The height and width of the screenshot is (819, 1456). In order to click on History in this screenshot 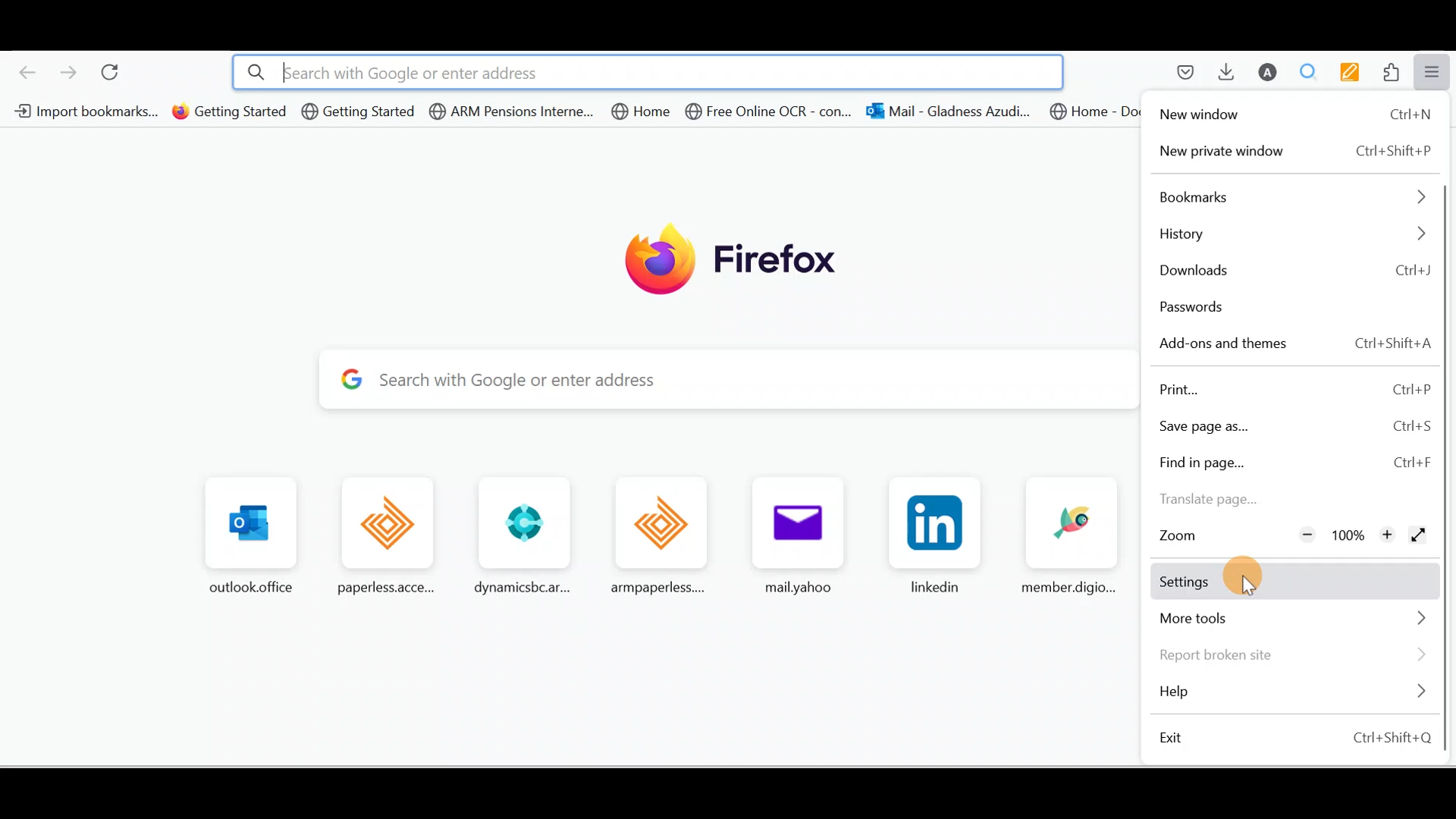, I will do `click(1291, 237)`.